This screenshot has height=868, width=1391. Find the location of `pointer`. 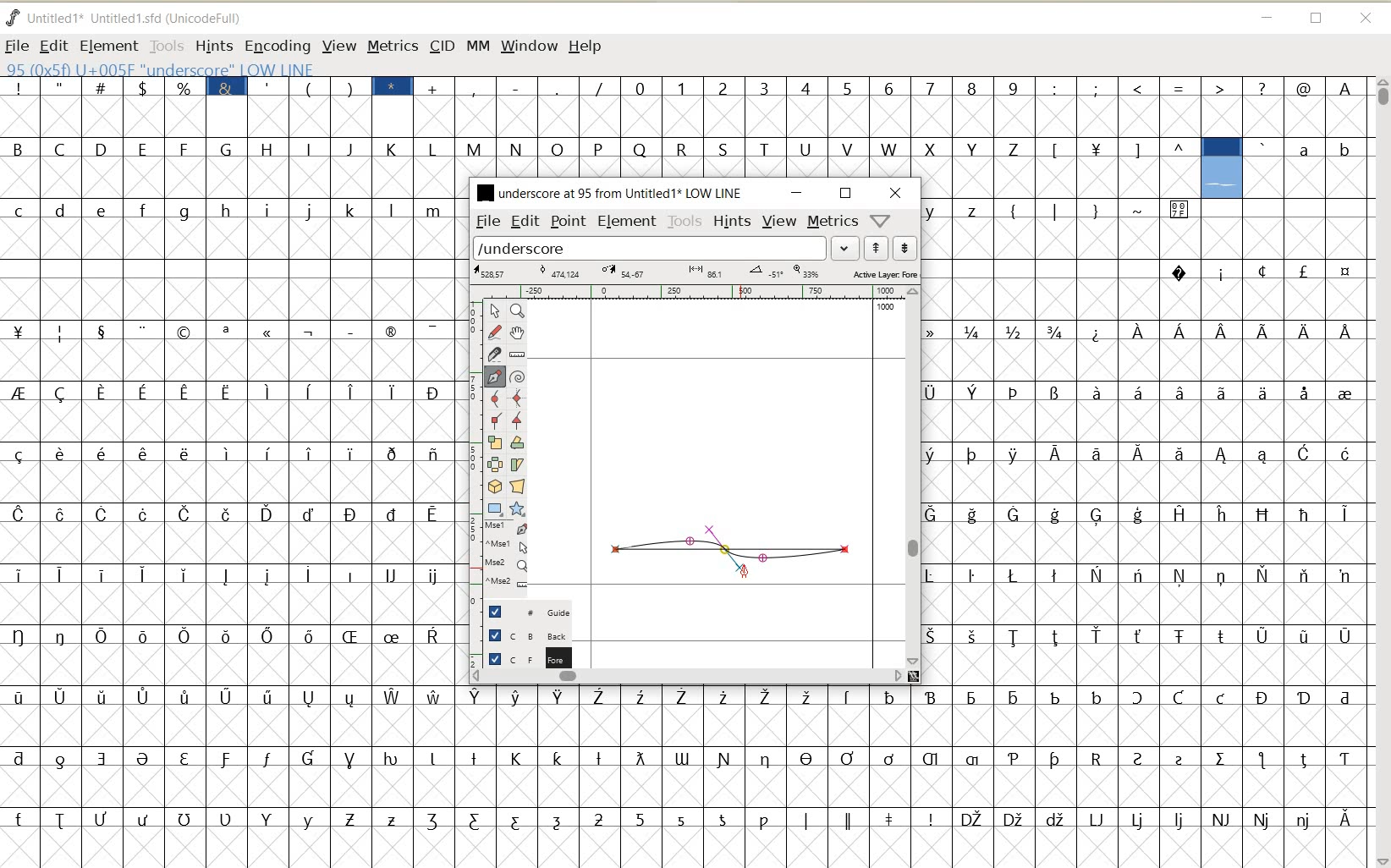

pointer is located at coordinates (493, 311).